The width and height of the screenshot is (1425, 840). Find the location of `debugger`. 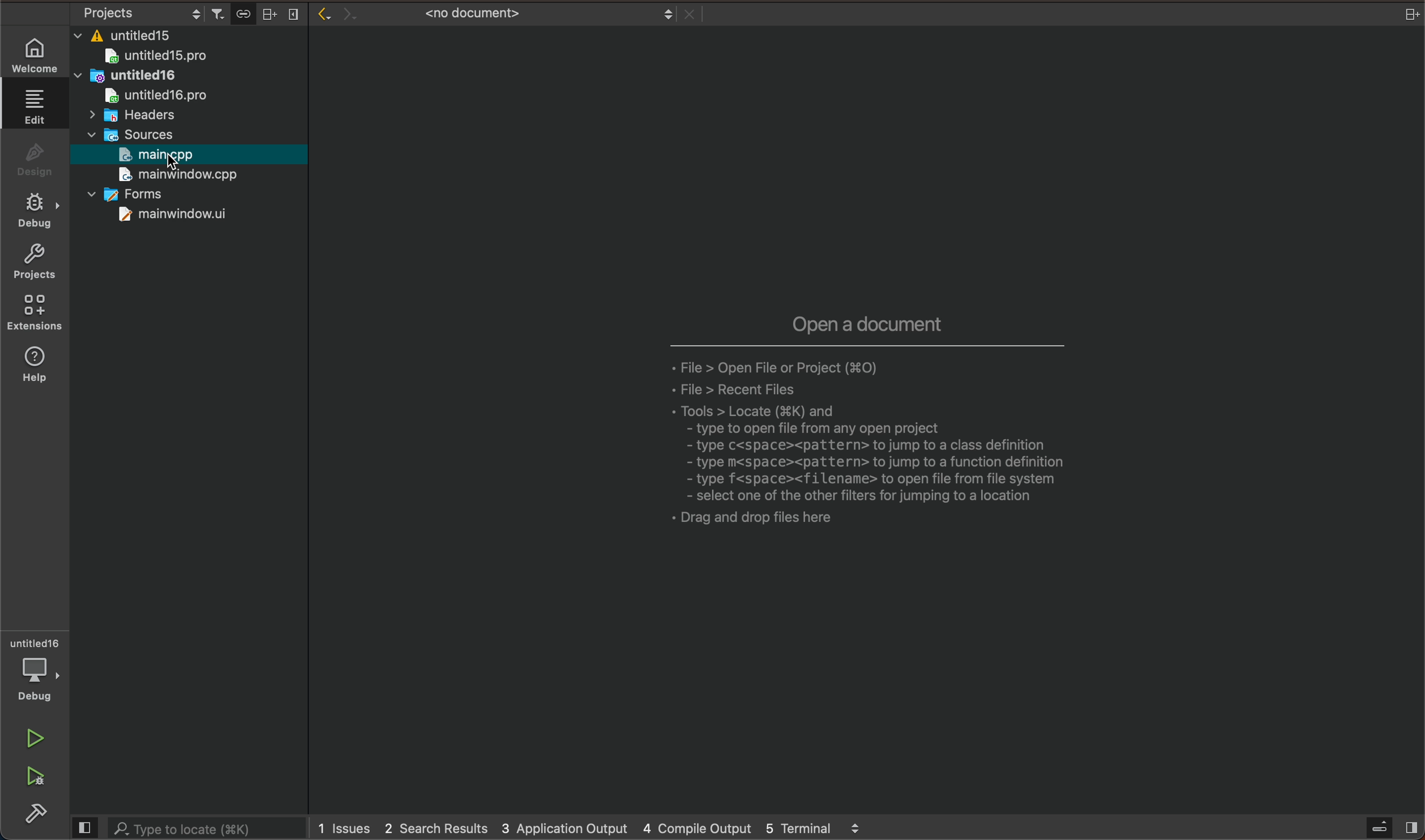

debugger is located at coordinates (33, 670).